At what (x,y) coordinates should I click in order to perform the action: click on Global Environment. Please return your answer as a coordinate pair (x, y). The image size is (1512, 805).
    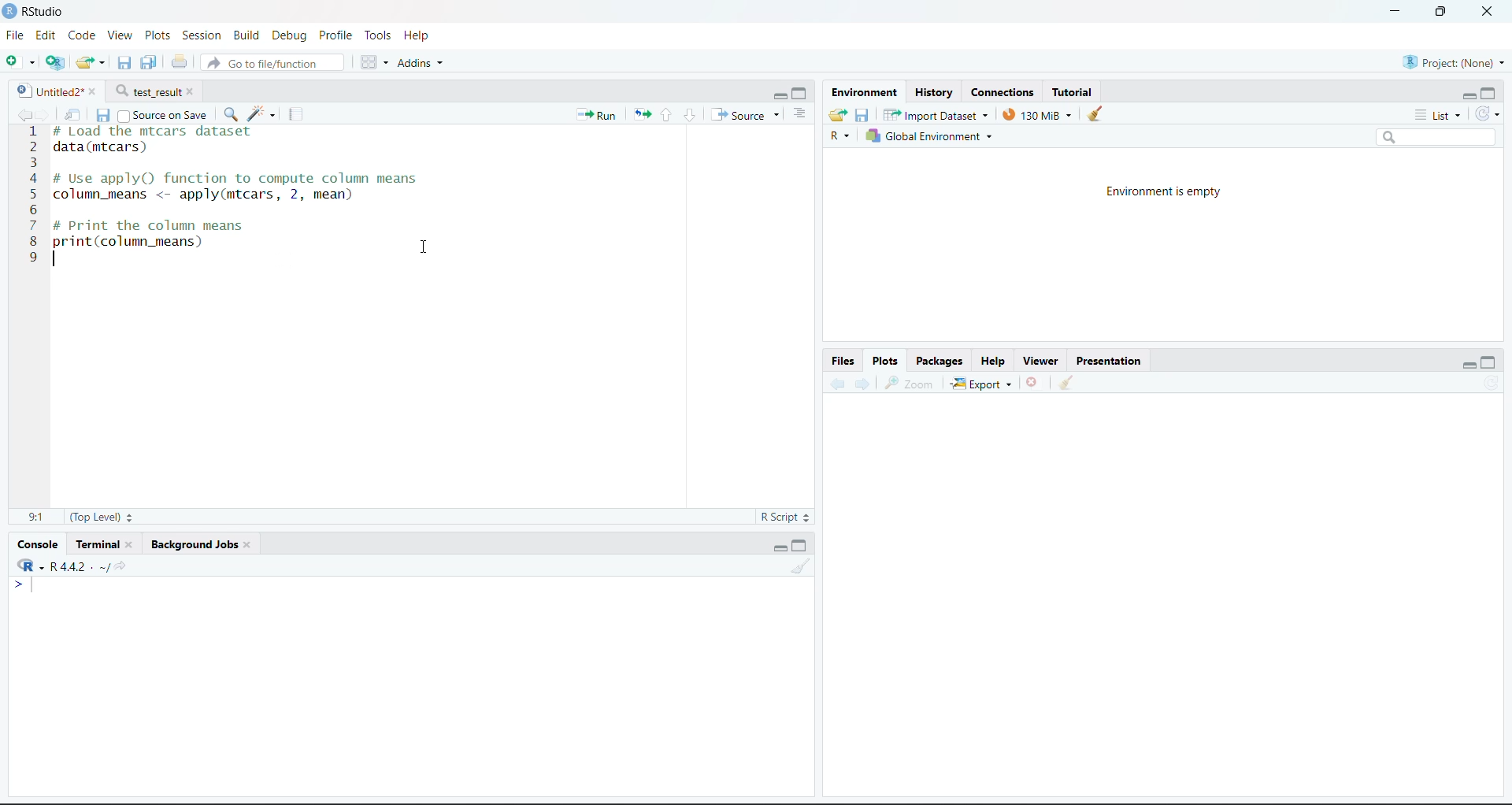
    Looking at the image, I should click on (929, 136).